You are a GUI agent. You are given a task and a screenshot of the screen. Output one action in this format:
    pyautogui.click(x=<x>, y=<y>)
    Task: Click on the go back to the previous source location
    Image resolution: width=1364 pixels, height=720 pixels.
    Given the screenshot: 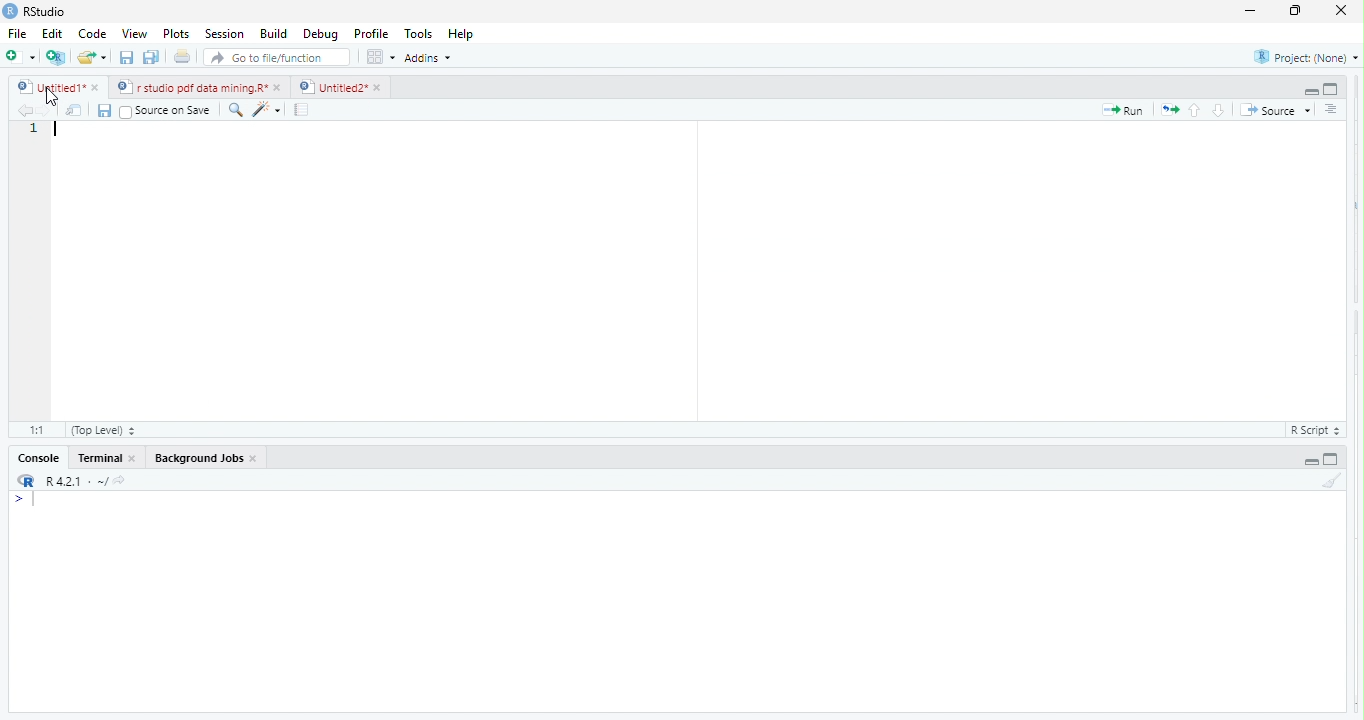 What is the action you would take?
    pyautogui.click(x=25, y=110)
    